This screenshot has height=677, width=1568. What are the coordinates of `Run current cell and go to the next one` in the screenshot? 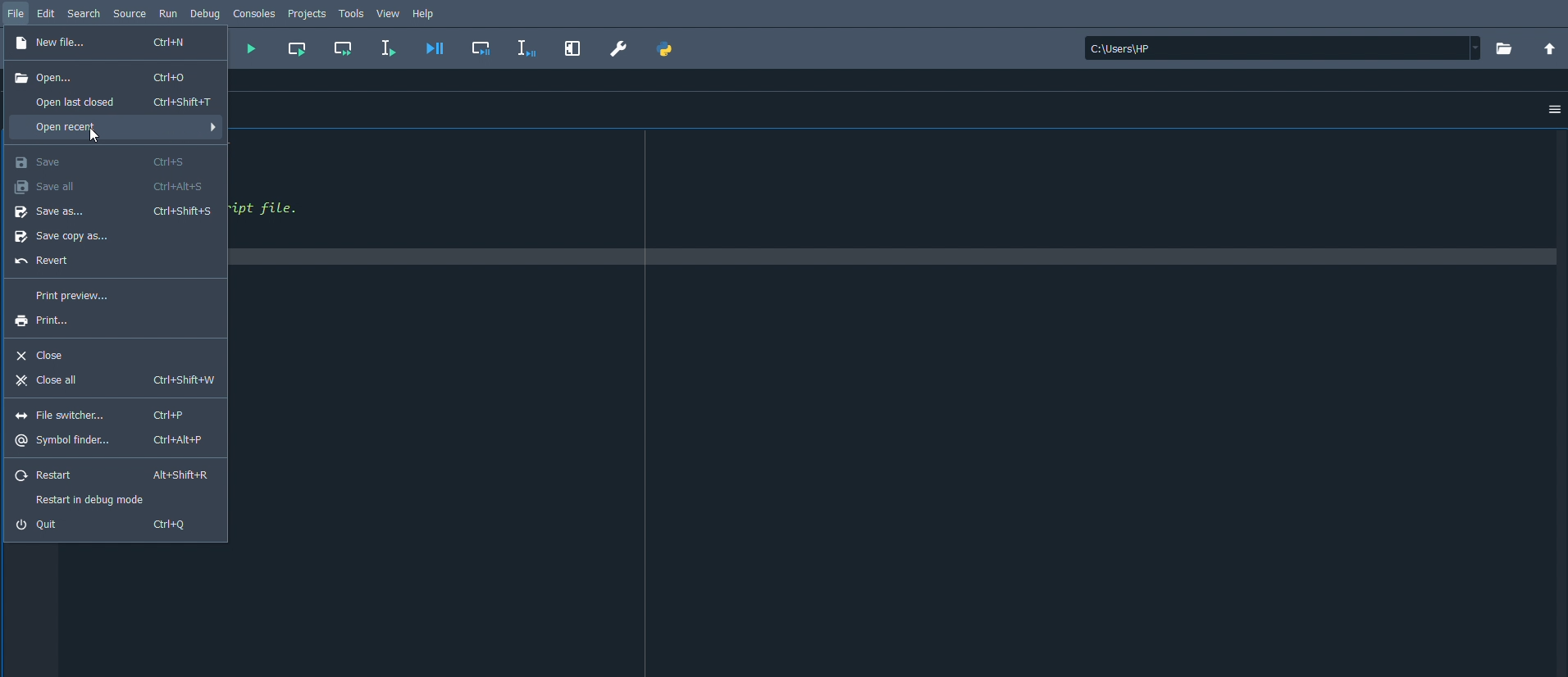 It's located at (344, 48).